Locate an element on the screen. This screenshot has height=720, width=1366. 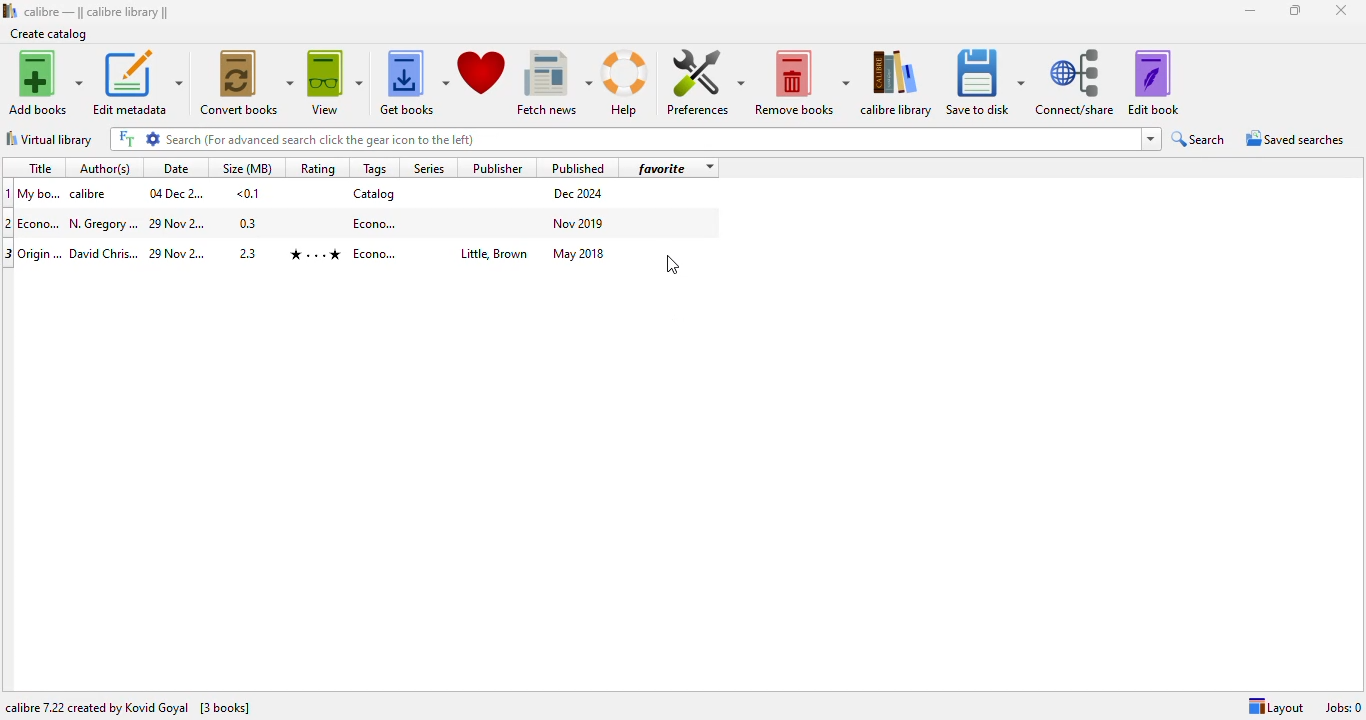
calibre library is located at coordinates (899, 83).